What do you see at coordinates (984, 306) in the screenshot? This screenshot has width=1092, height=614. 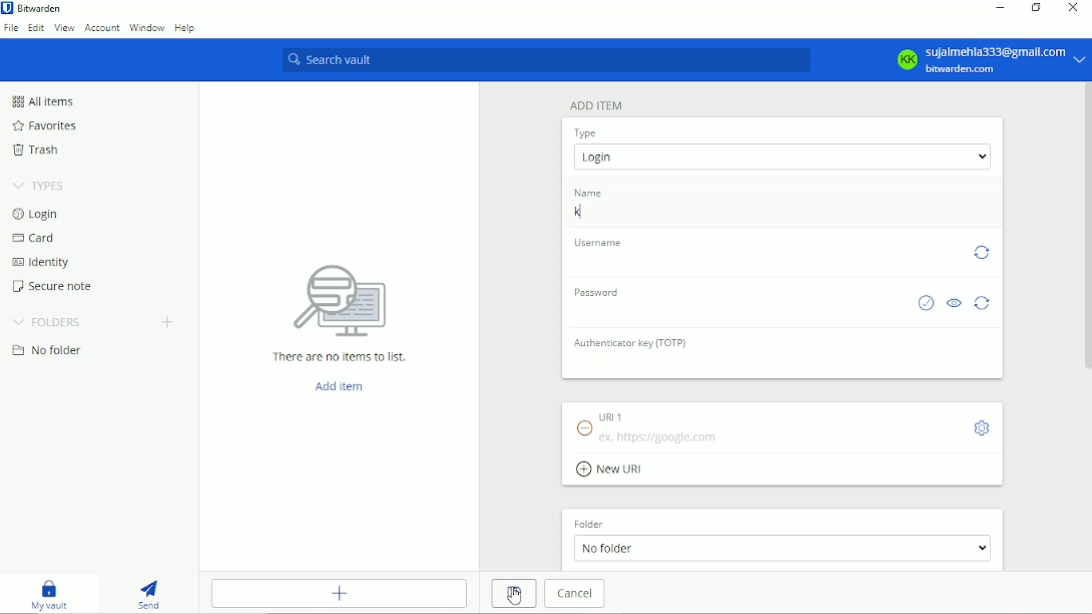 I see `Generate password` at bounding box center [984, 306].